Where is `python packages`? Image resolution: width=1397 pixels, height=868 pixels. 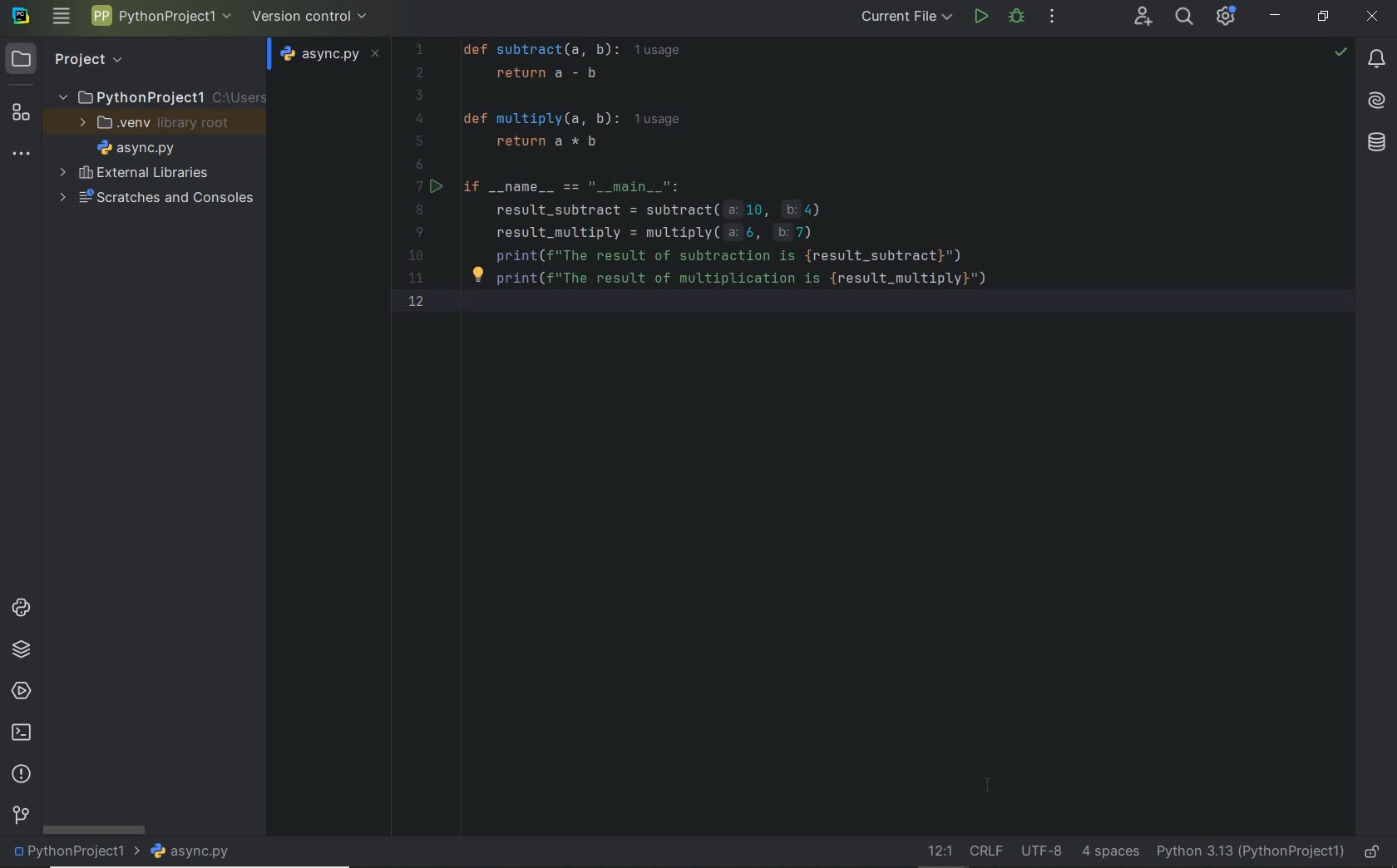
python packages is located at coordinates (20, 650).